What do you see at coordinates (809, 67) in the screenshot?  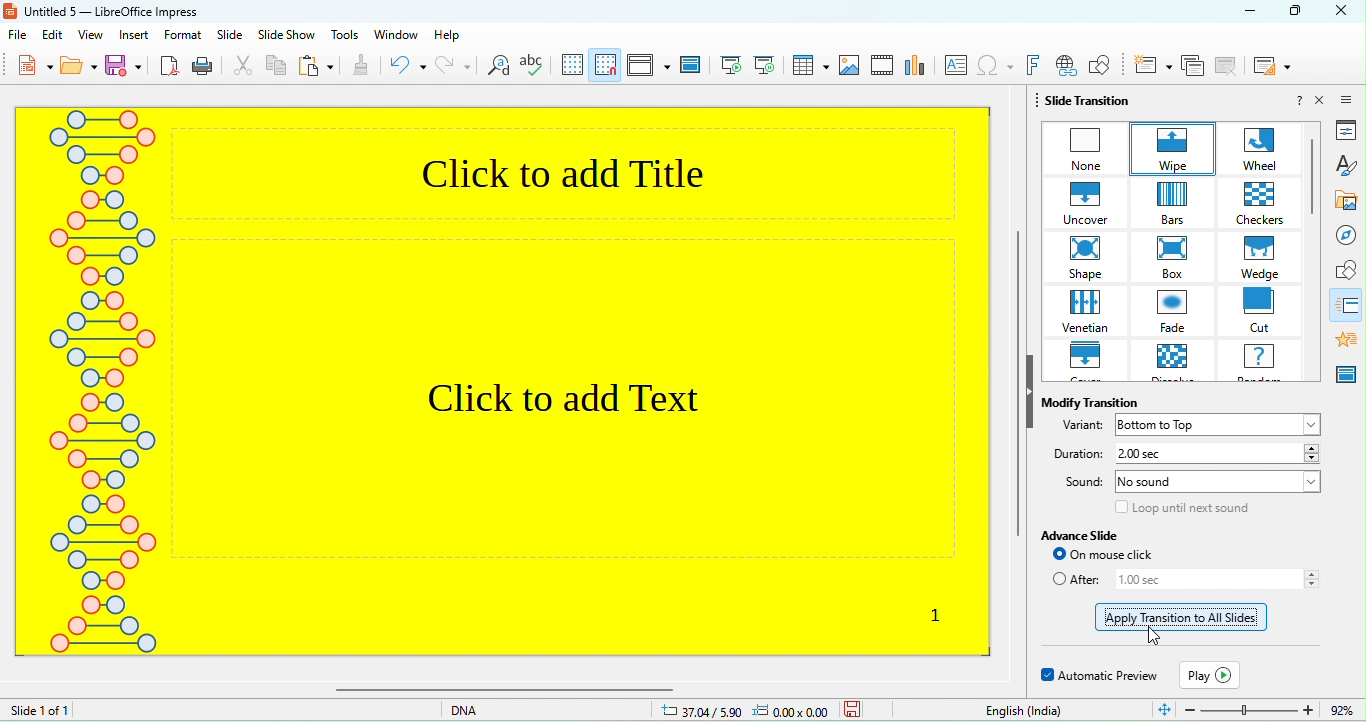 I see `table` at bounding box center [809, 67].